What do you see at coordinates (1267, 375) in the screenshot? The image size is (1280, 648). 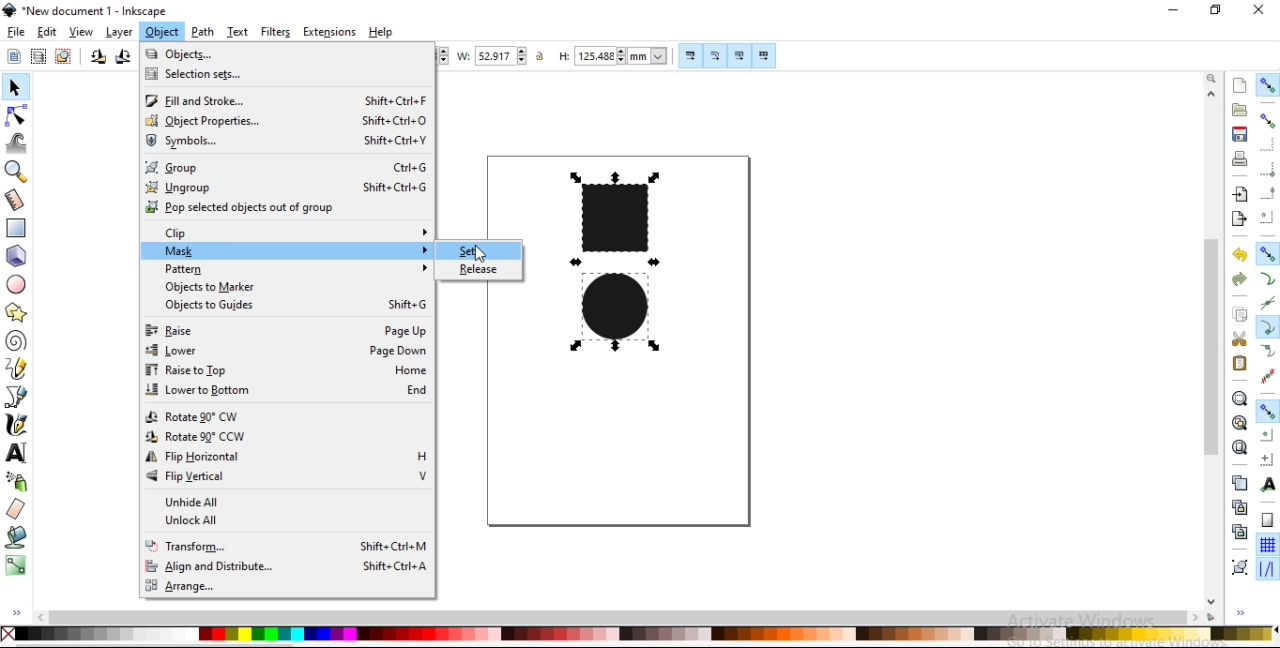 I see `snap midpoints of line segments` at bounding box center [1267, 375].